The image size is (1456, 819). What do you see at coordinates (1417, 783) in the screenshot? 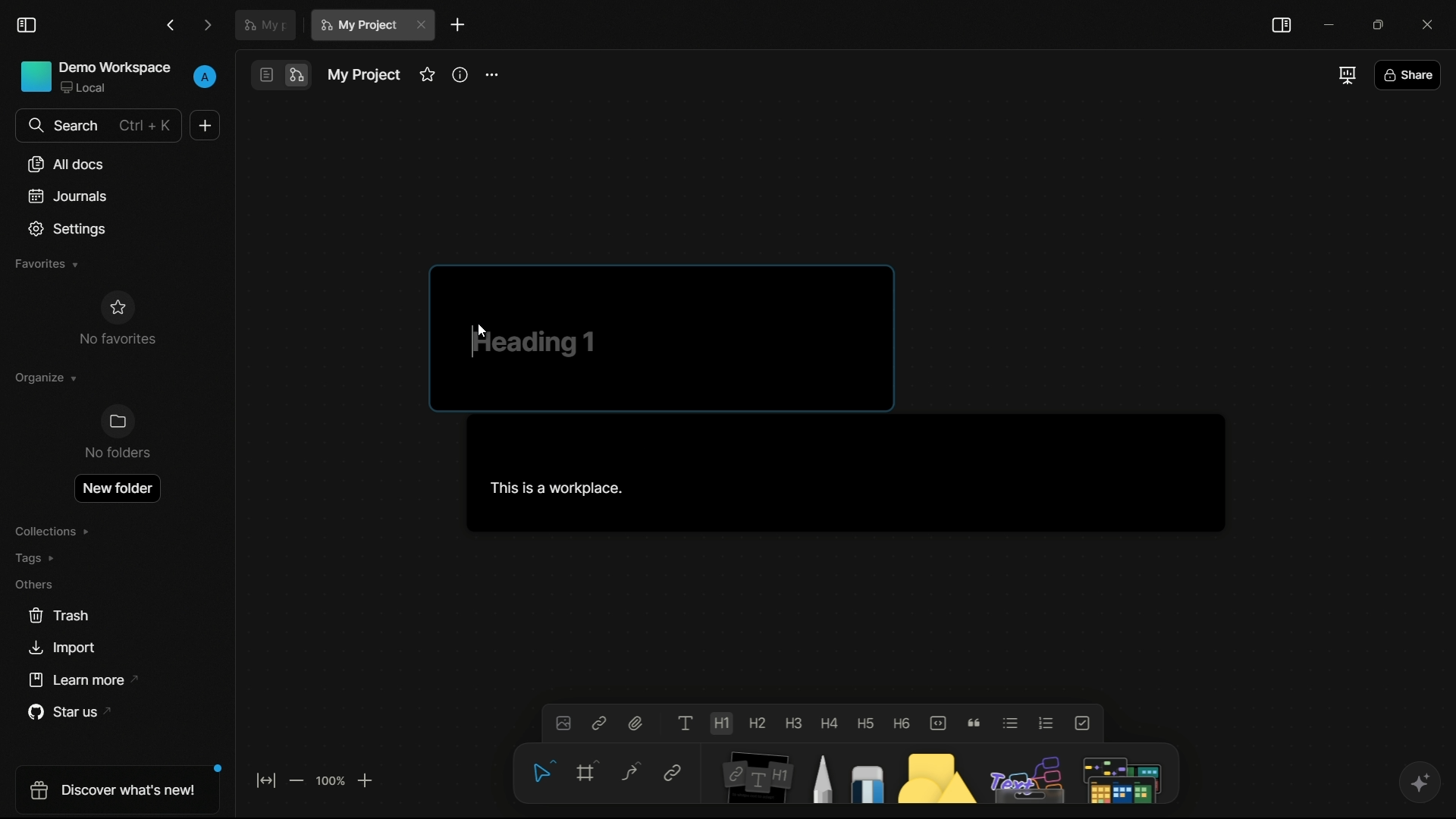
I see `ai assistant` at bounding box center [1417, 783].